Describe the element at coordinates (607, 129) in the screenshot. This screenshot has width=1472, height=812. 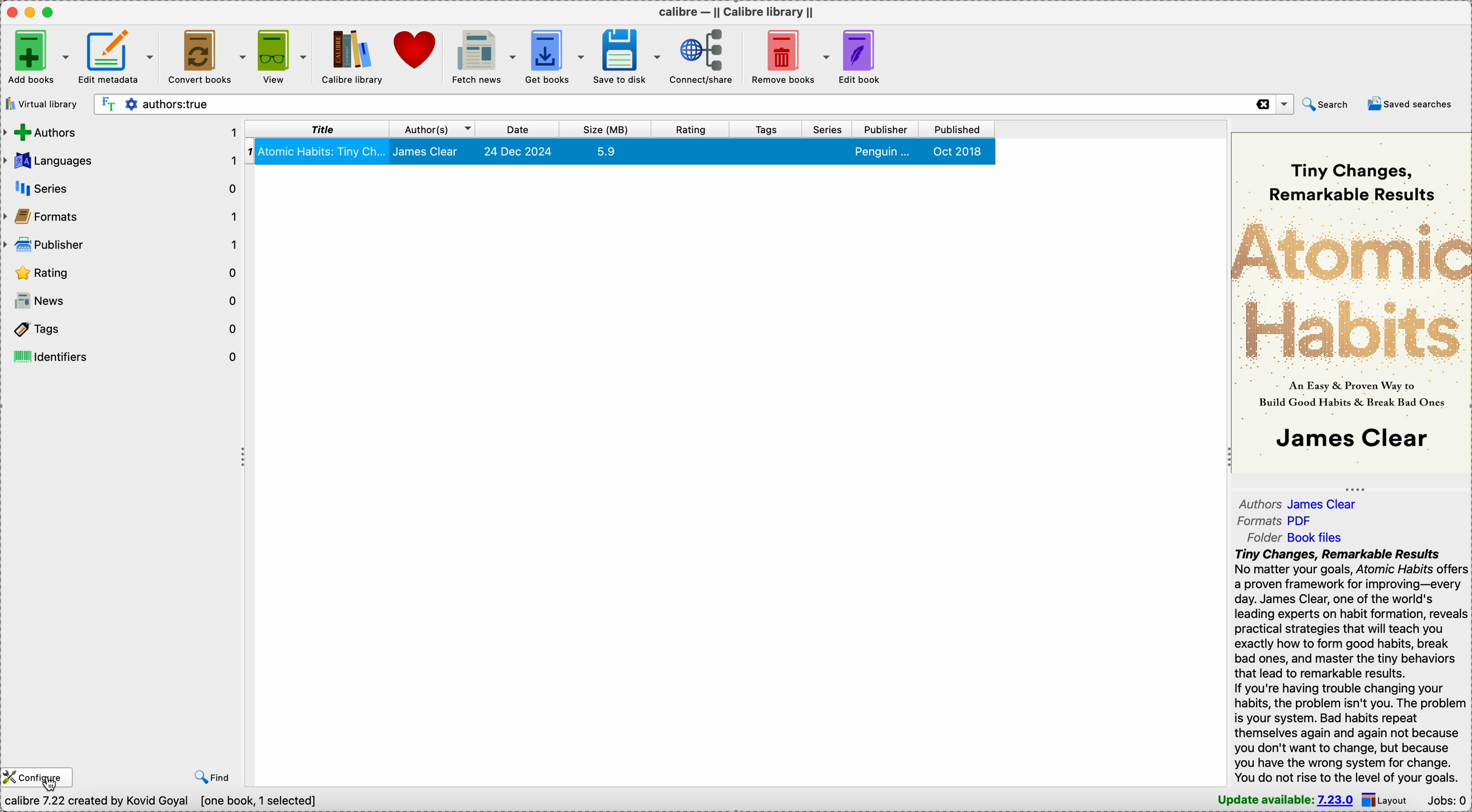
I see `size (MB)` at that location.